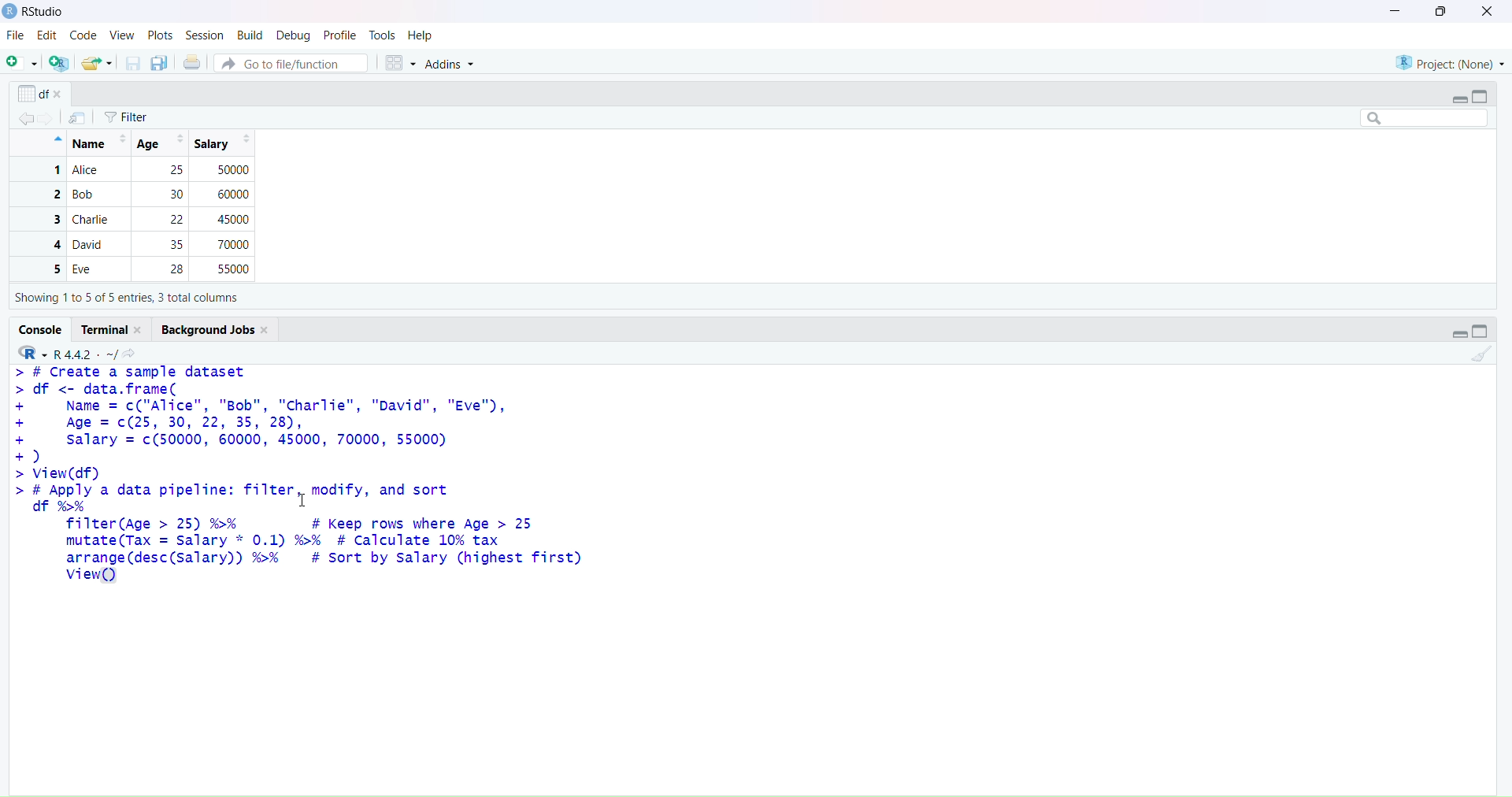 The image size is (1512, 797). What do you see at coordinates (1452, 98) in the screenshot?
I see `expand` at bounding box center [1452, 98].